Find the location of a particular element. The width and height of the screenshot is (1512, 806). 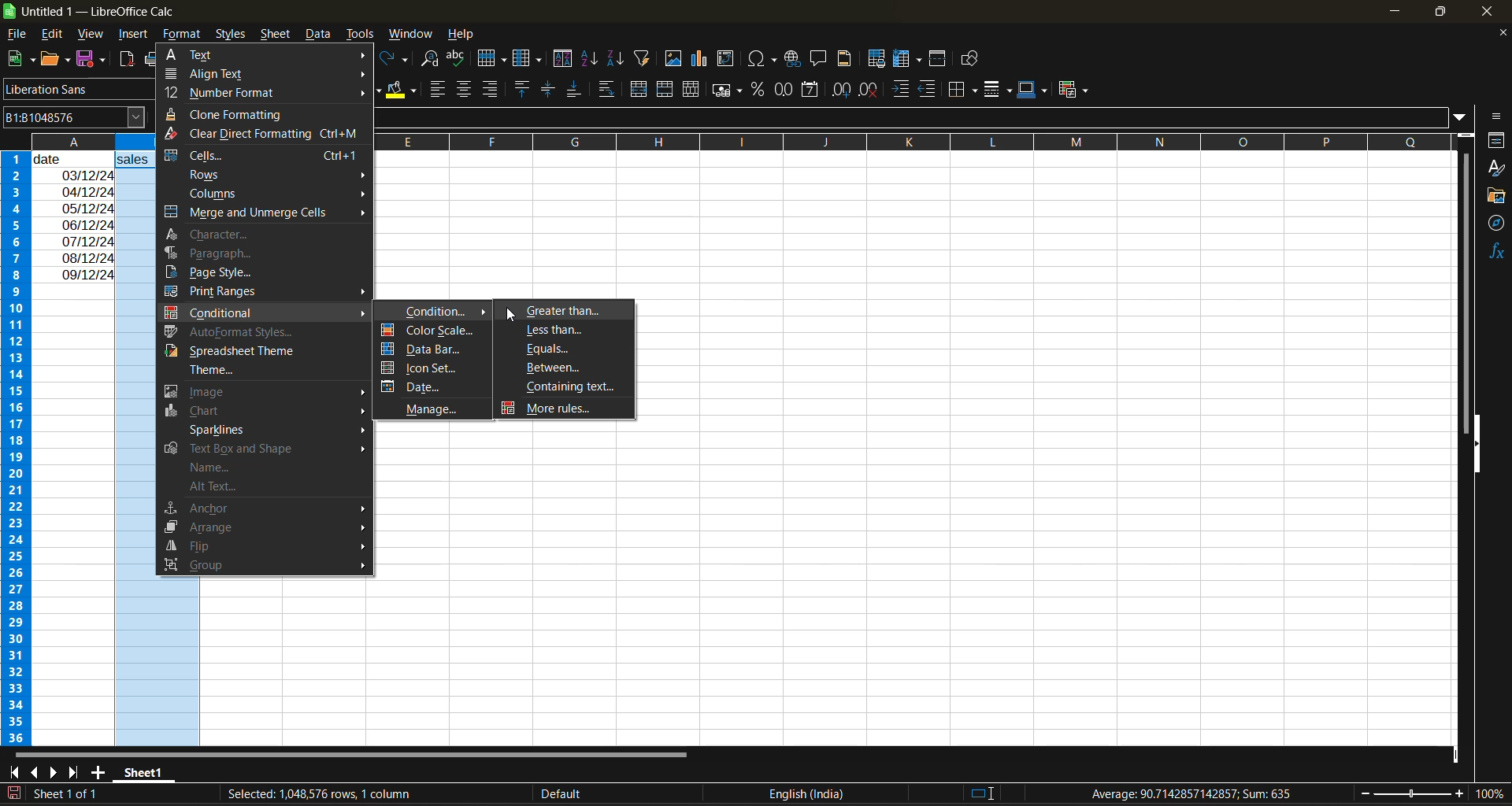

freeze rows and columns is located at coordinates (907, 60).